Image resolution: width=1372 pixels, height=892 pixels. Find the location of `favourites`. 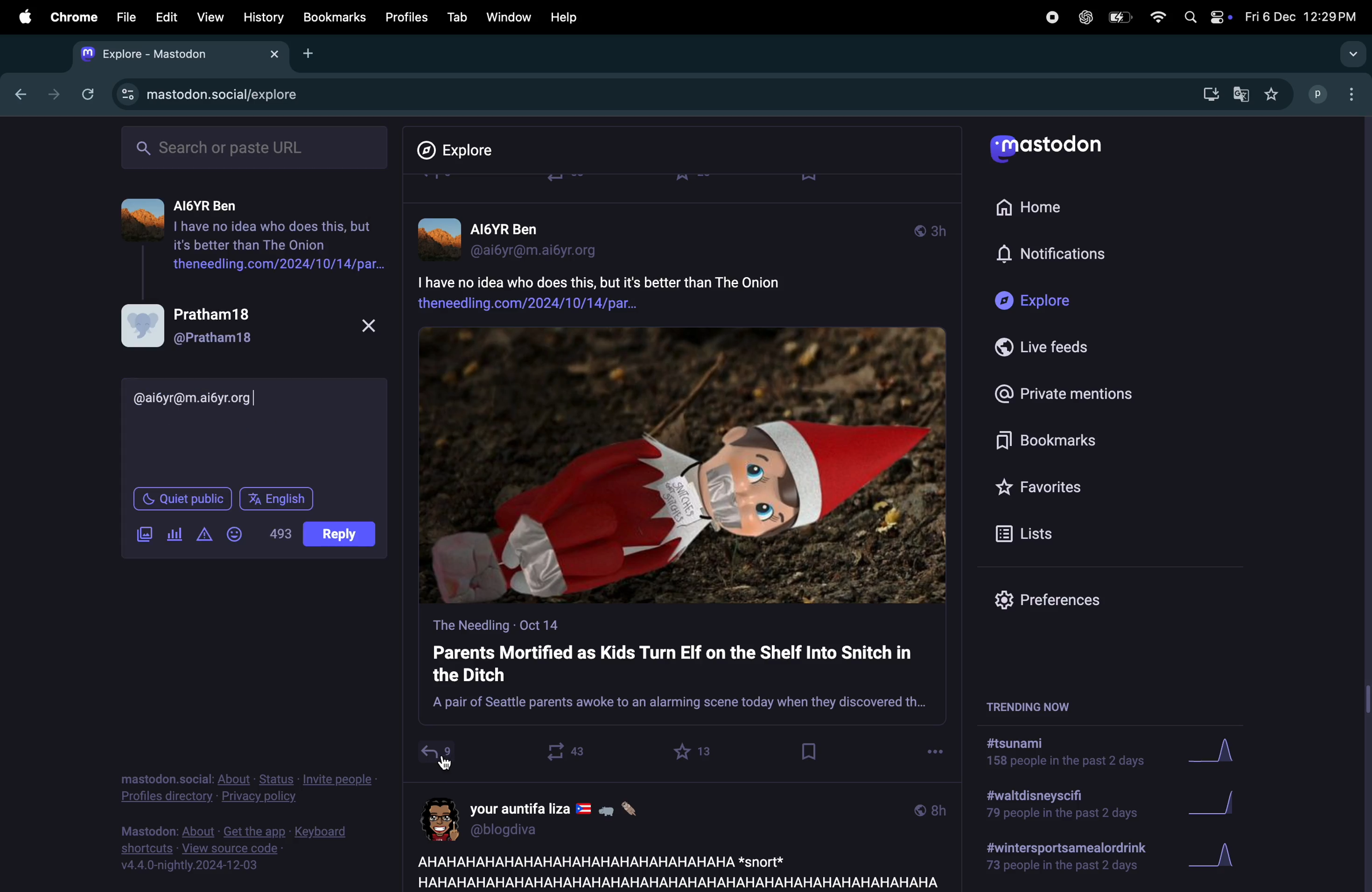

favourites is located at coordinates (1271, 95).